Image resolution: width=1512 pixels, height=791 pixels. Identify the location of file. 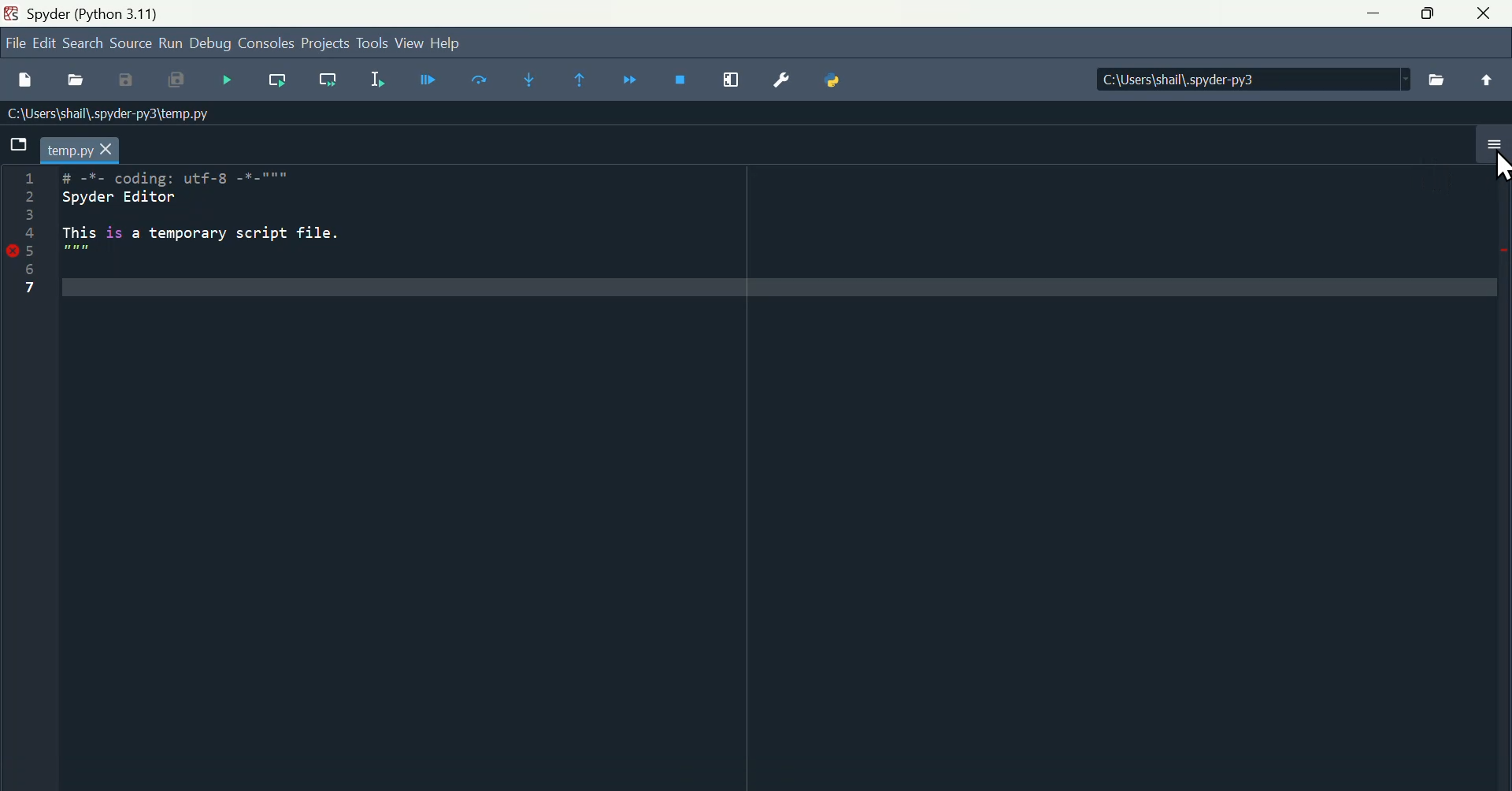
(11, 46).